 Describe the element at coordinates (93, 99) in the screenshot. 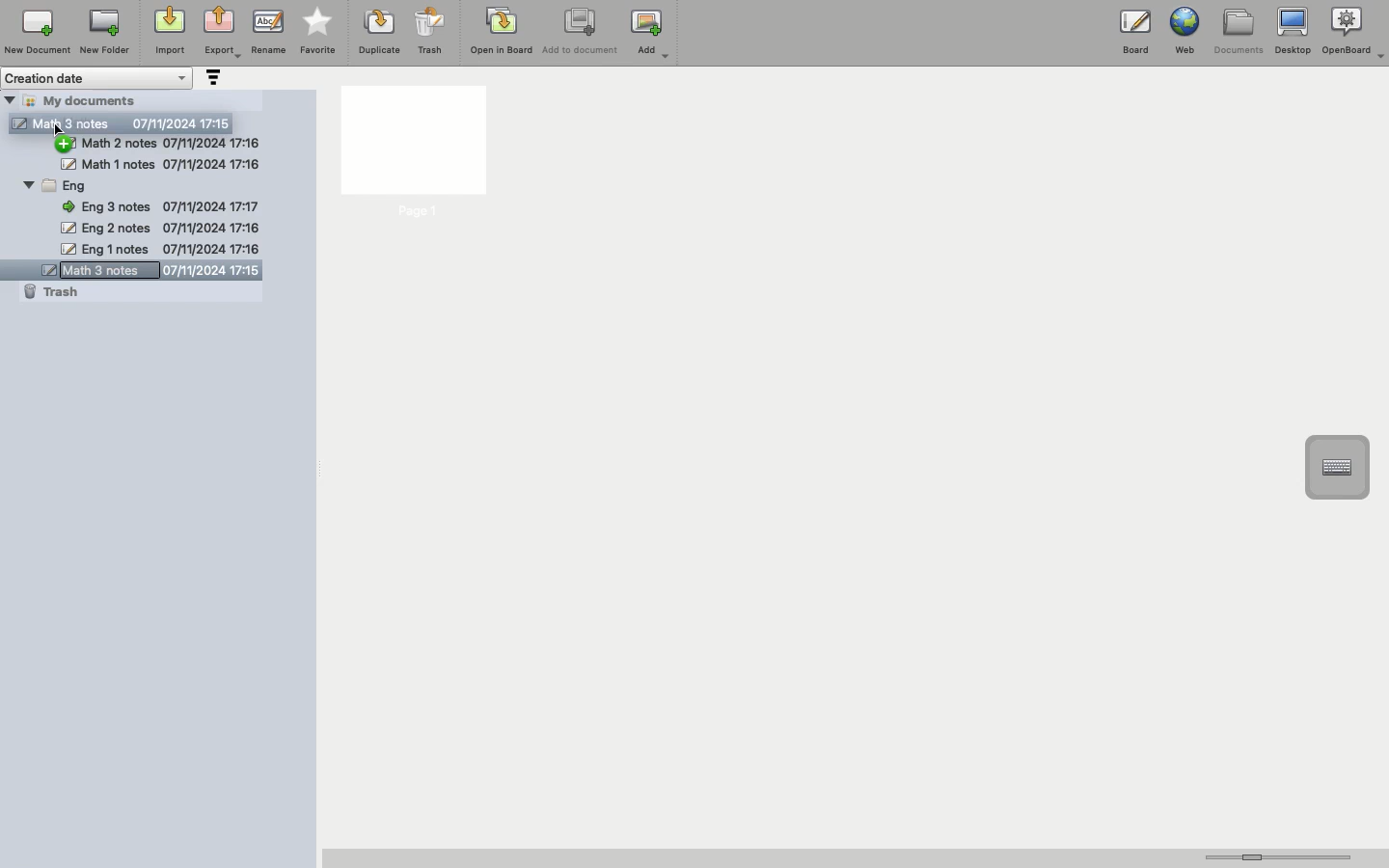

I see `My documents` at that location.